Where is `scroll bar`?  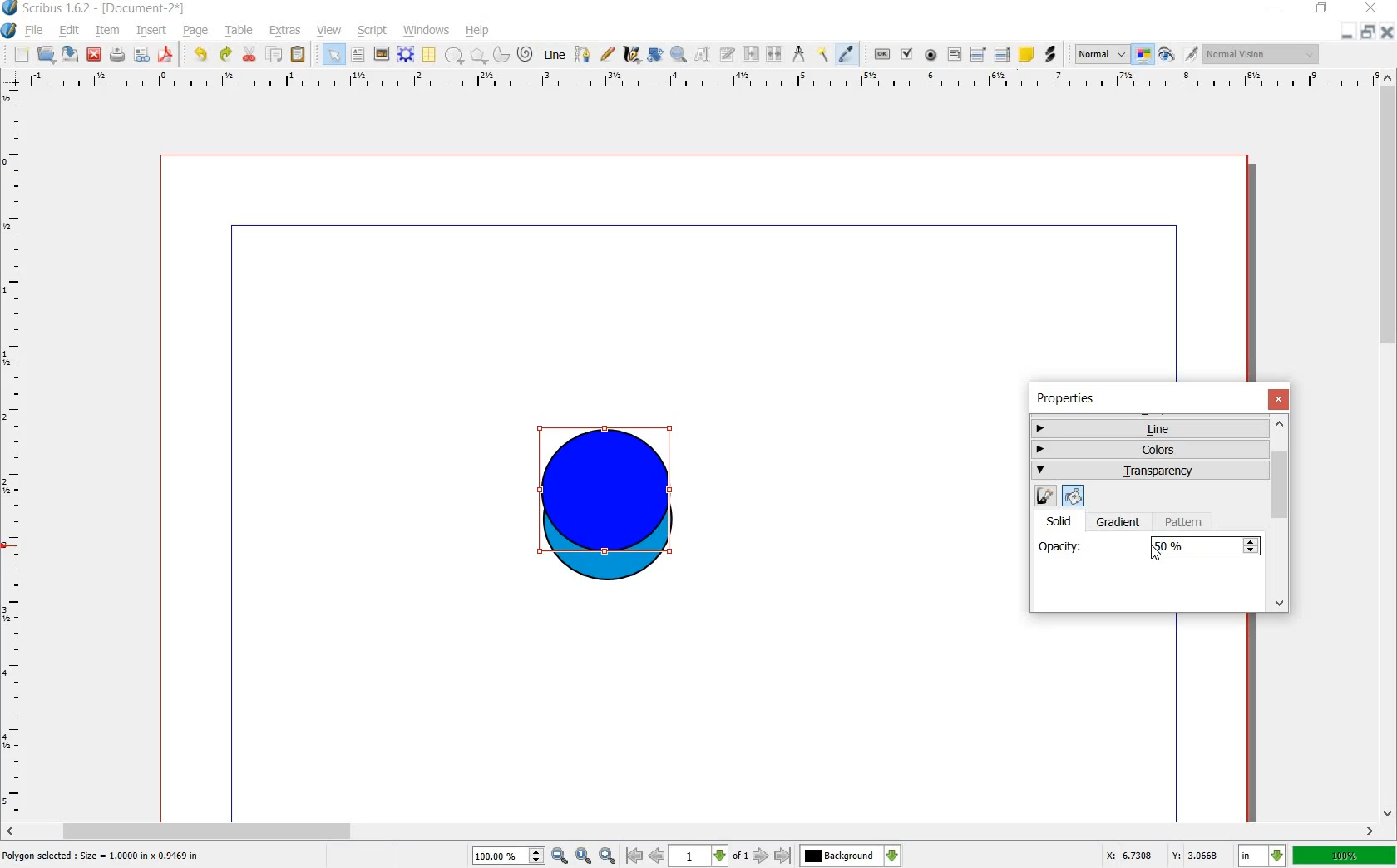
scroll bar is located at coordinates (1389, 442).